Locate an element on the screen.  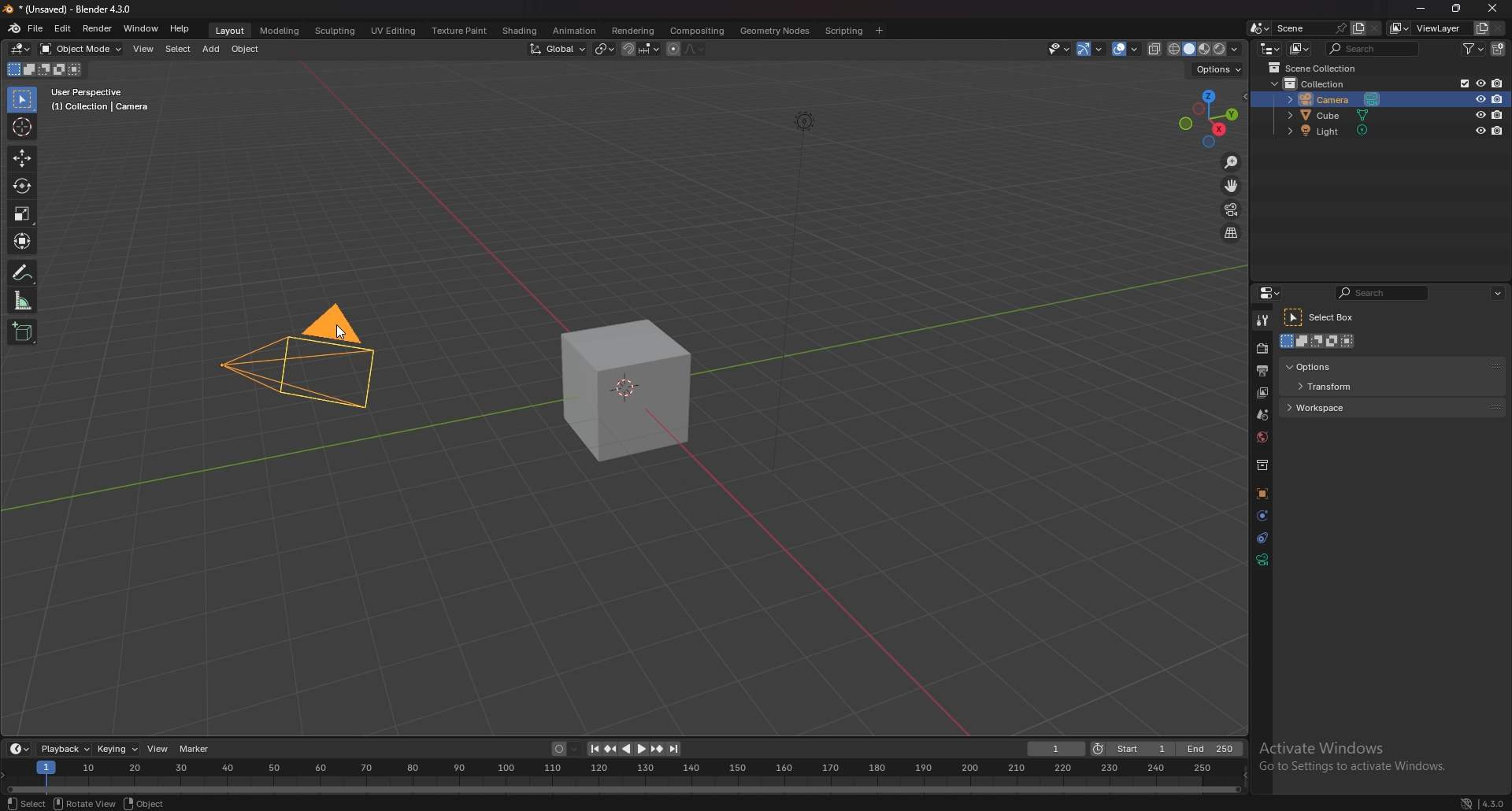
view layer is located at coordinates (1427, 28).